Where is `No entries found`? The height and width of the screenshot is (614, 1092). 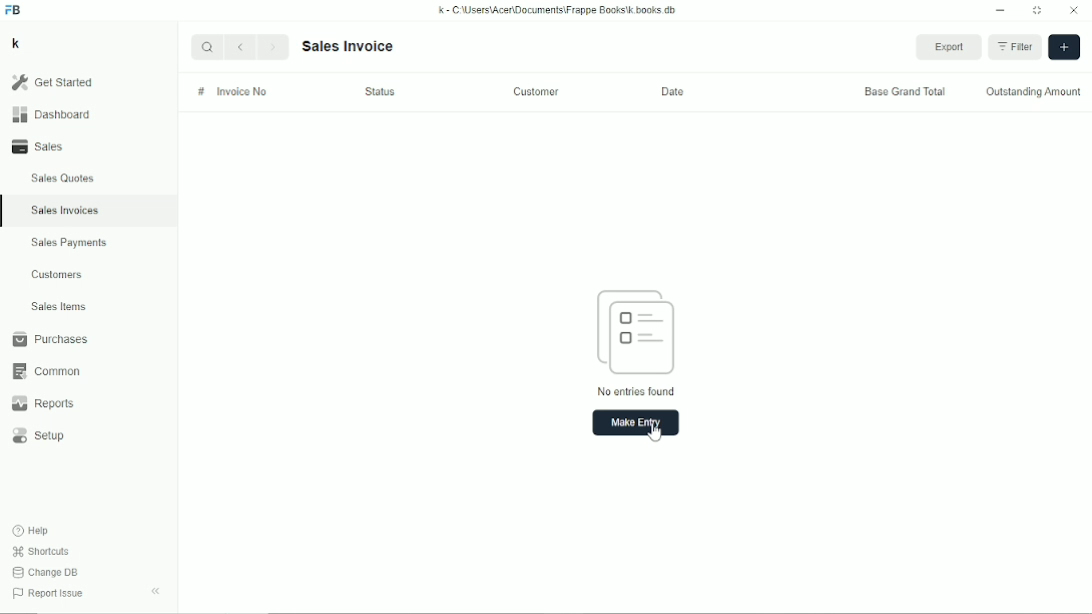 No entries found is located at coordinates (637, 342).